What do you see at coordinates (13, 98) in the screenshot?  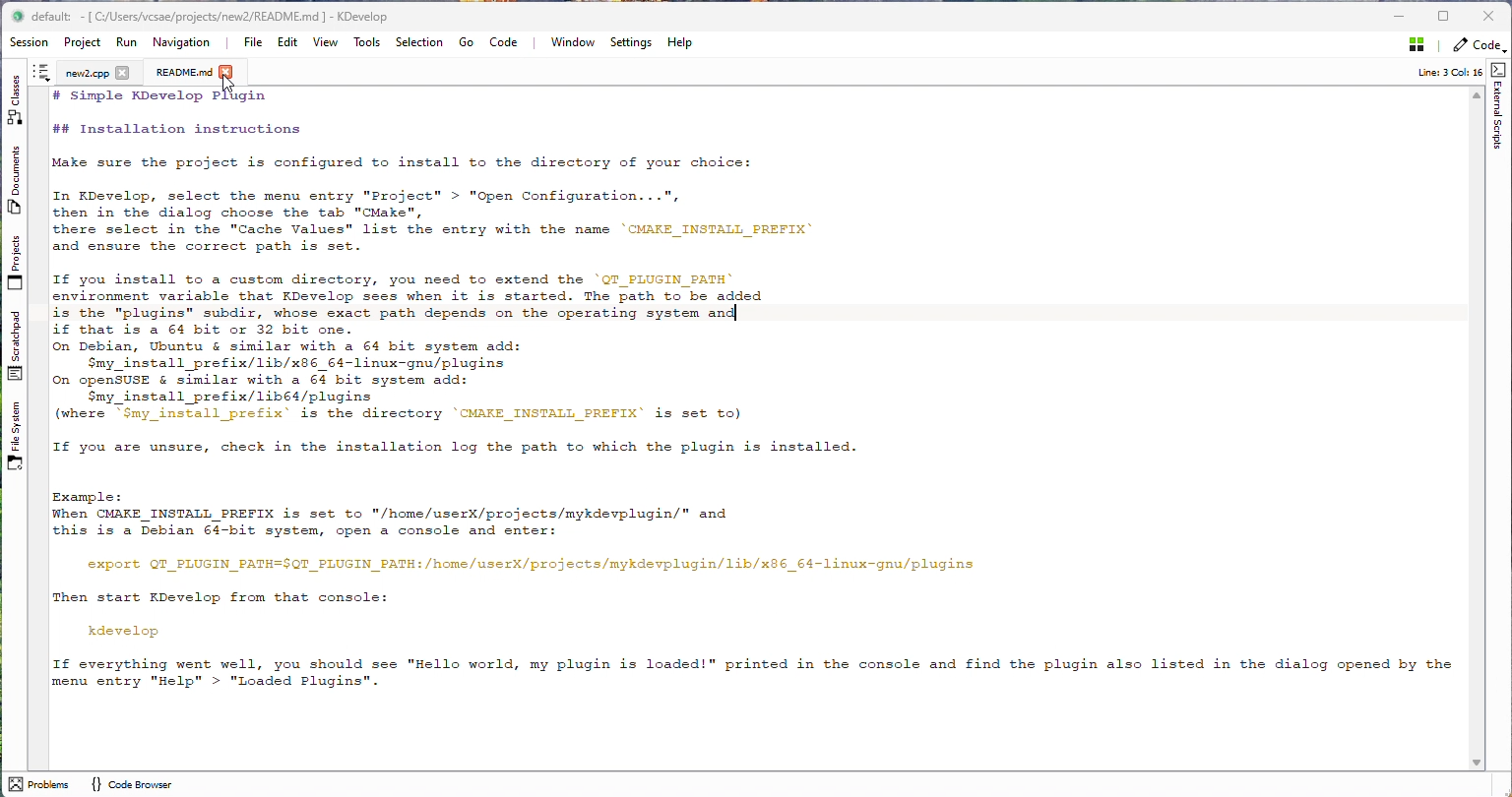 I see `Class` at bounding box center [13, 98].